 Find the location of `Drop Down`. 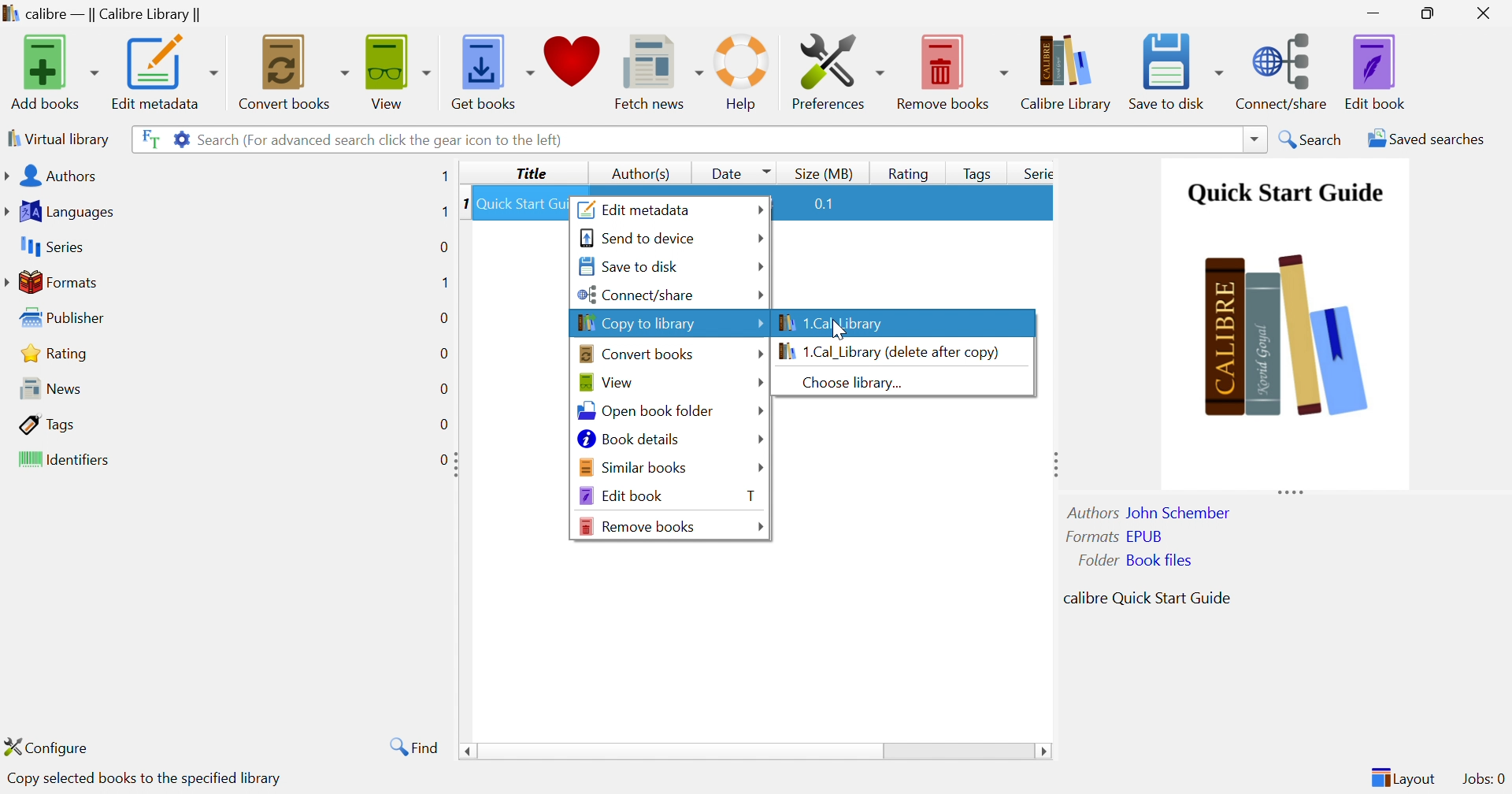

Drop Down is located at coordinates (762, 469).